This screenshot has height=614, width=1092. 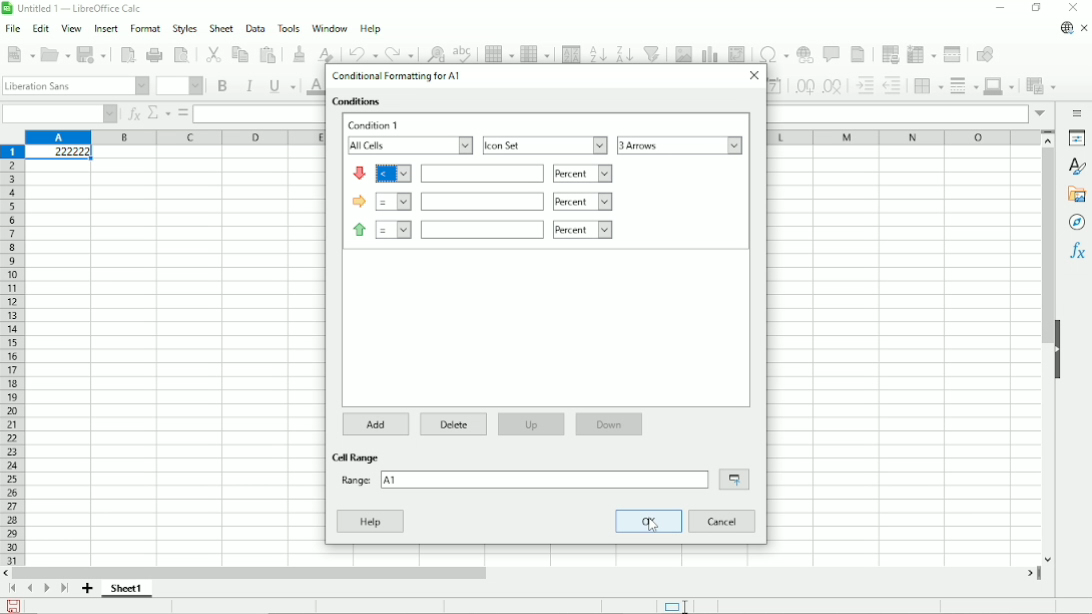 What do you see at coordinates (464, 50) in the screenshot?
I see `Spell check` at bounding box center [464, 50].